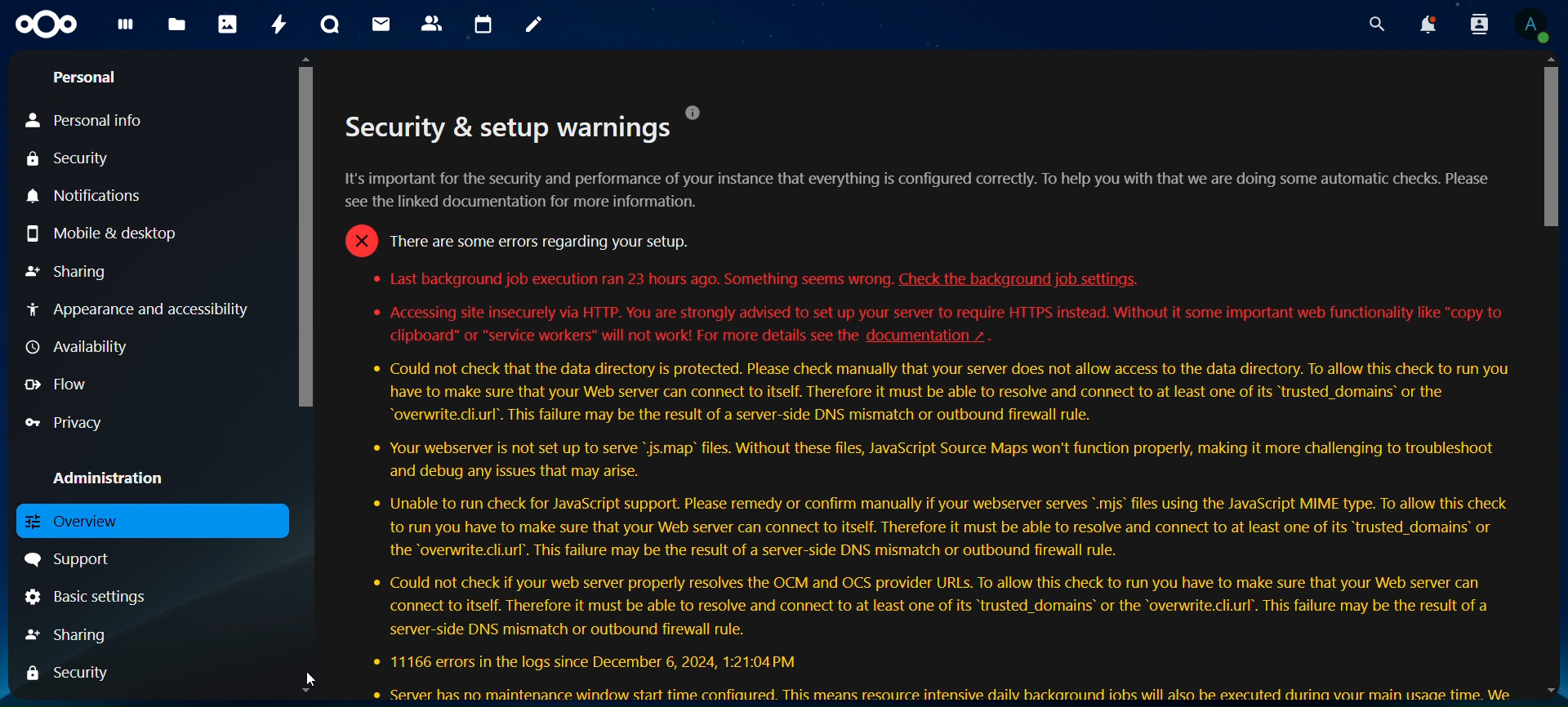  Describe the element at coordinates (176, 25) in the screenshot. I see `files` at that location.